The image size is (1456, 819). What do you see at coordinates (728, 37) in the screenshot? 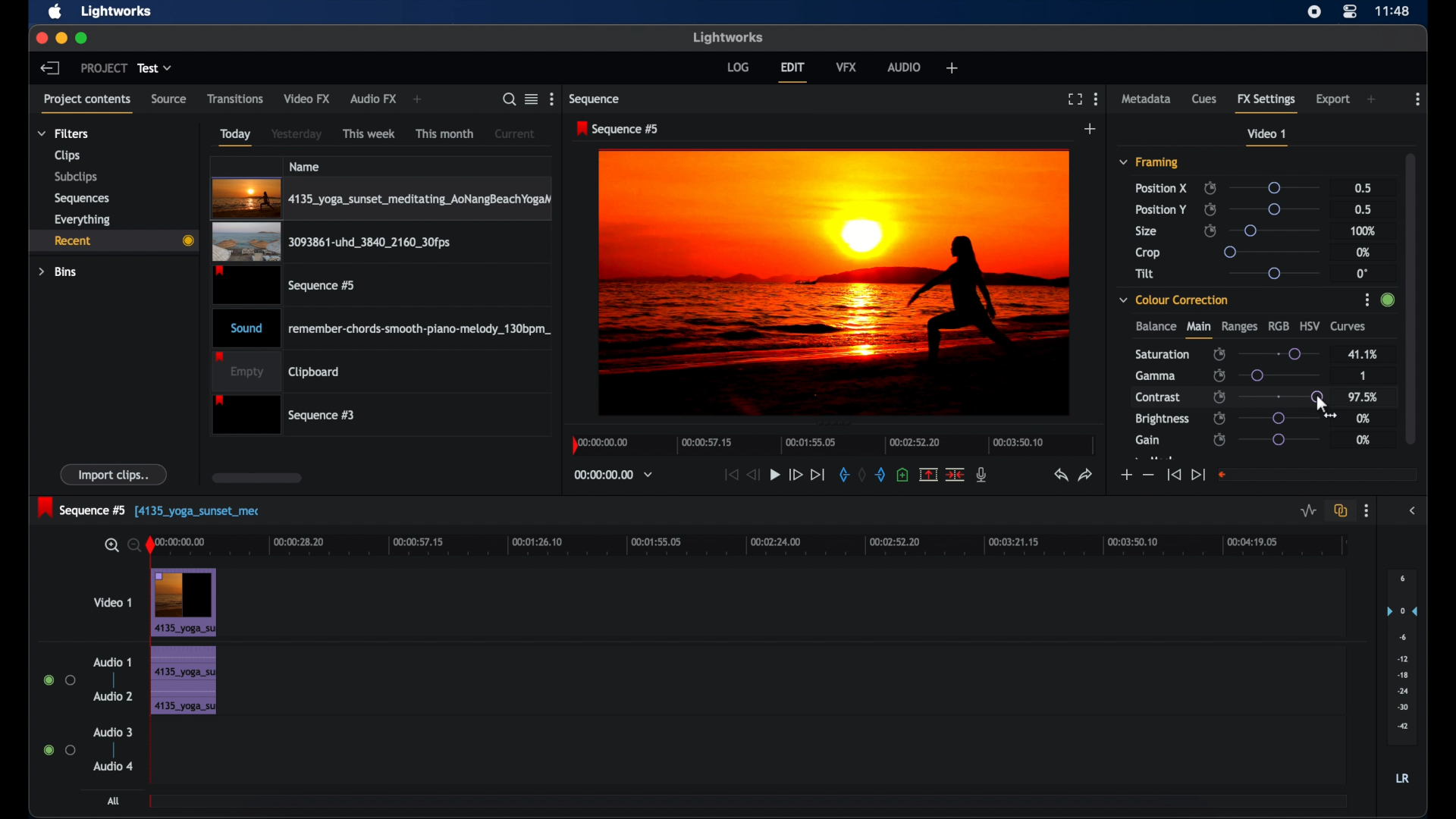
I see `lightworks` at bounding box center [728, 37].